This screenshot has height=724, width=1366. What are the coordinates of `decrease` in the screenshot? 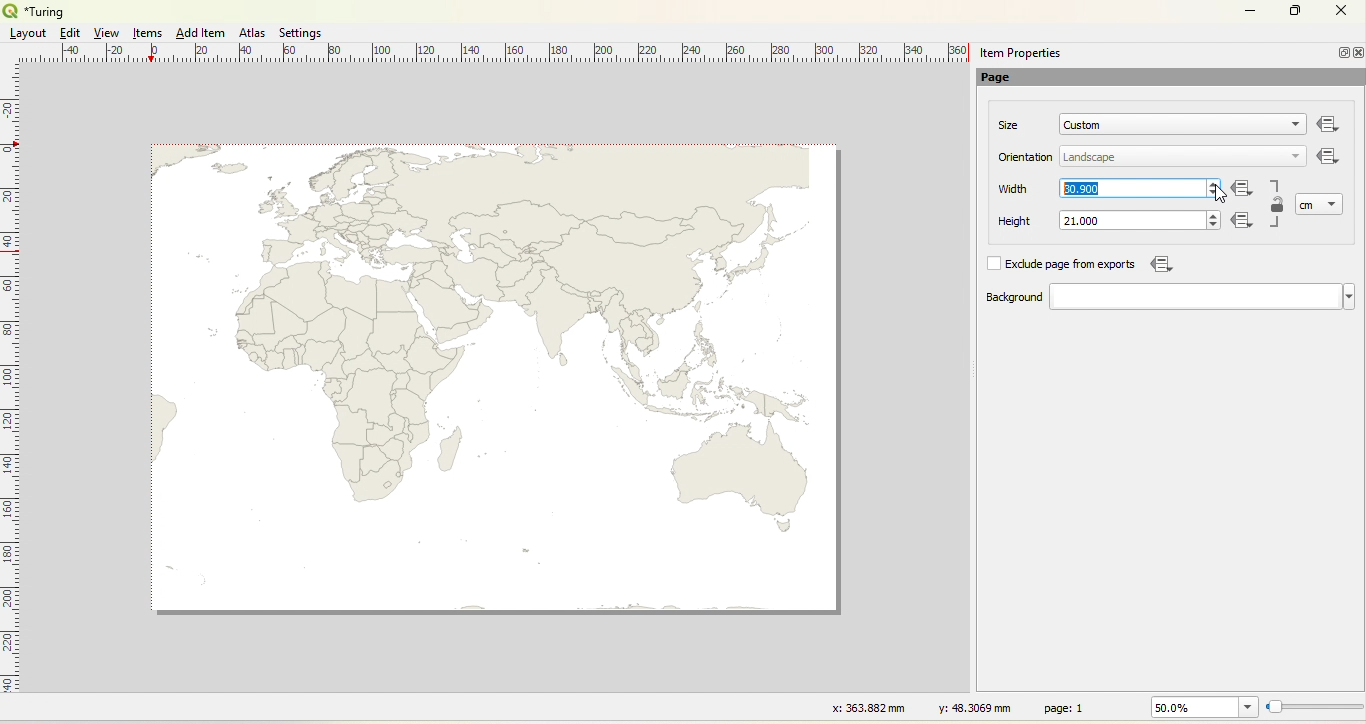 It's located at (1213, 194).